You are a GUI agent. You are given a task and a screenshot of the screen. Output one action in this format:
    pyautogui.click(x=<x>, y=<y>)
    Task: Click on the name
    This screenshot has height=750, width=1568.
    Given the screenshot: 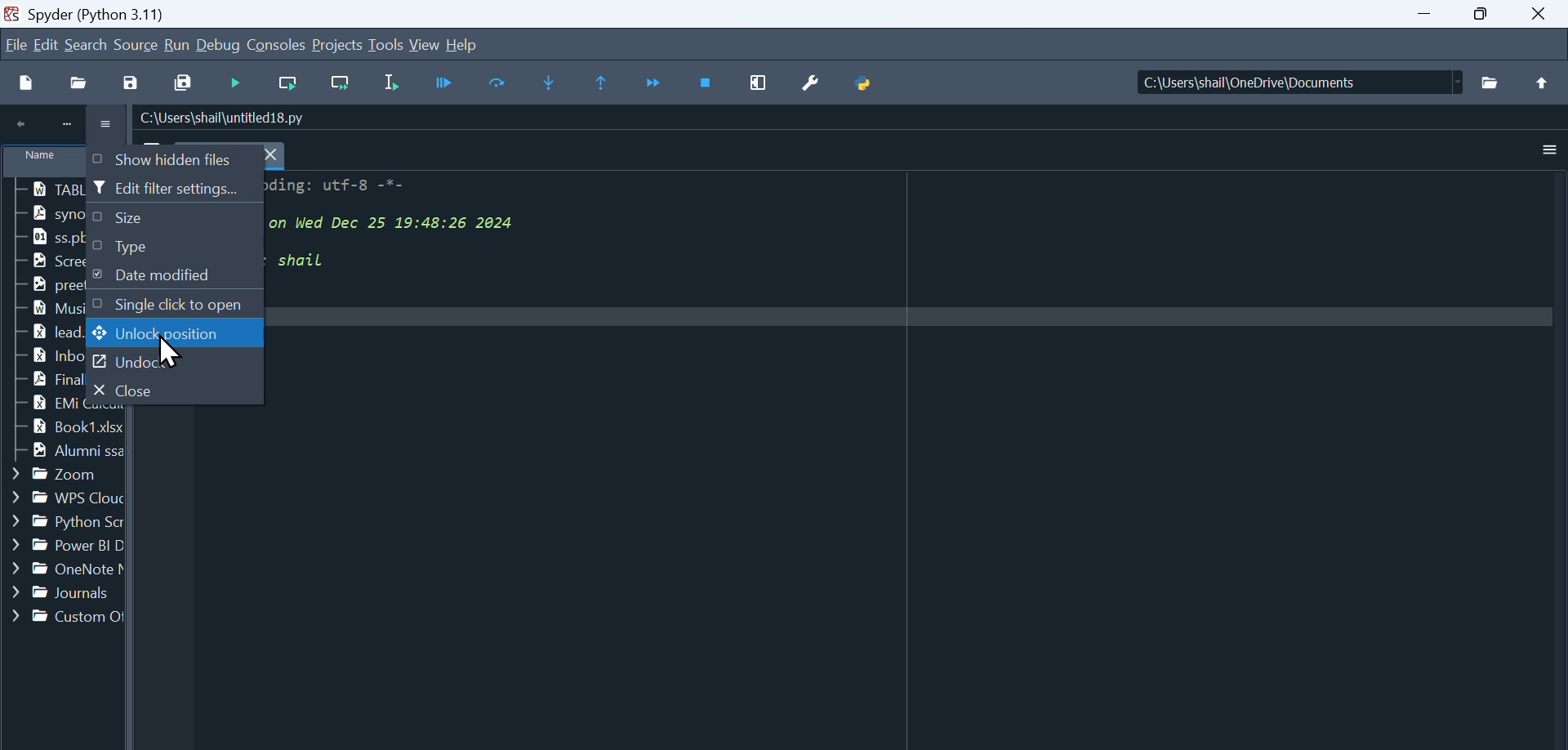 What is the action you would take?
    pyautogui.click(x=39, y=163)
    